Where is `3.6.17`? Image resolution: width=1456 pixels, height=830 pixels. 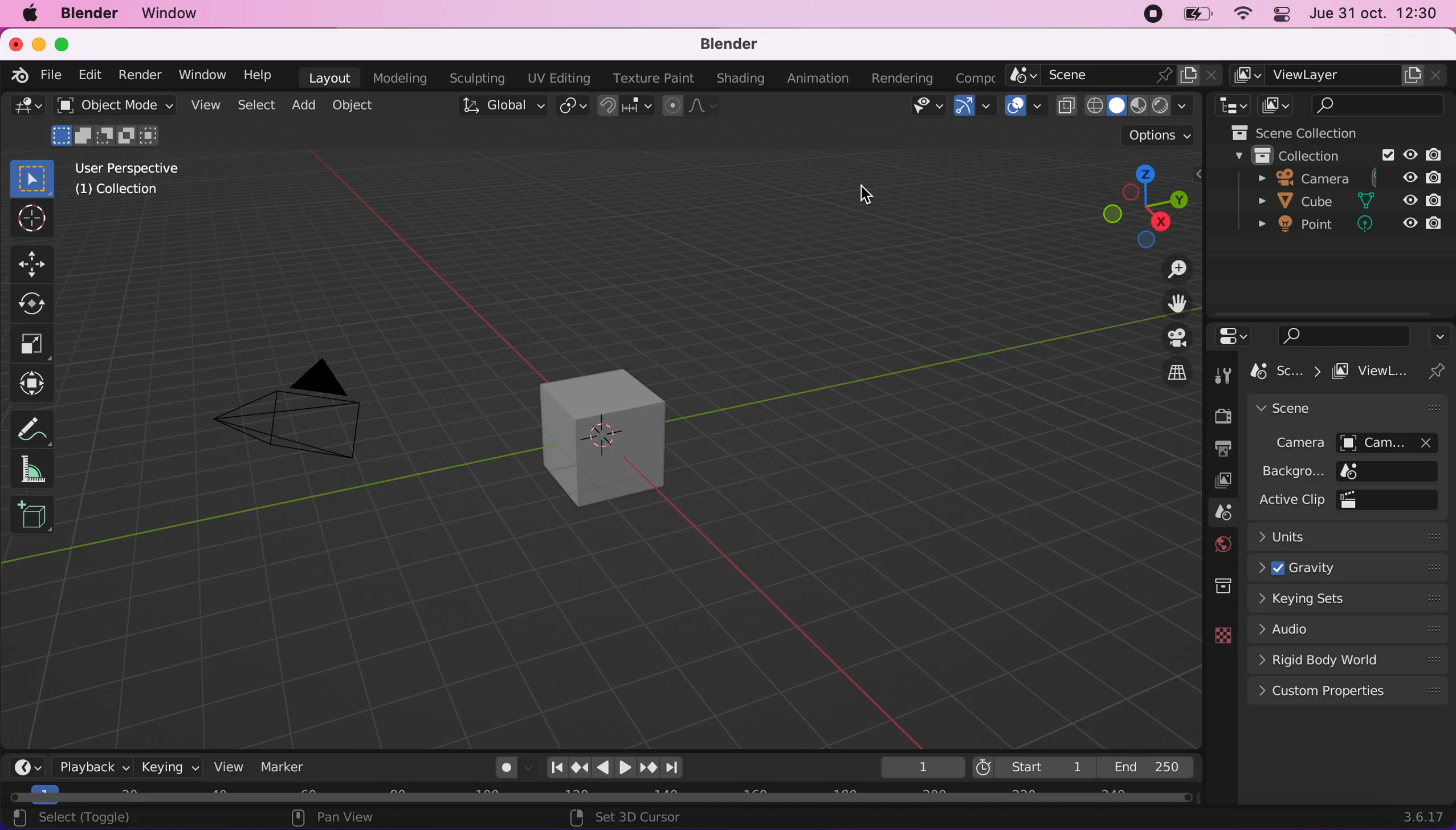 3.6.17 is located at coordinates (1425, 817).